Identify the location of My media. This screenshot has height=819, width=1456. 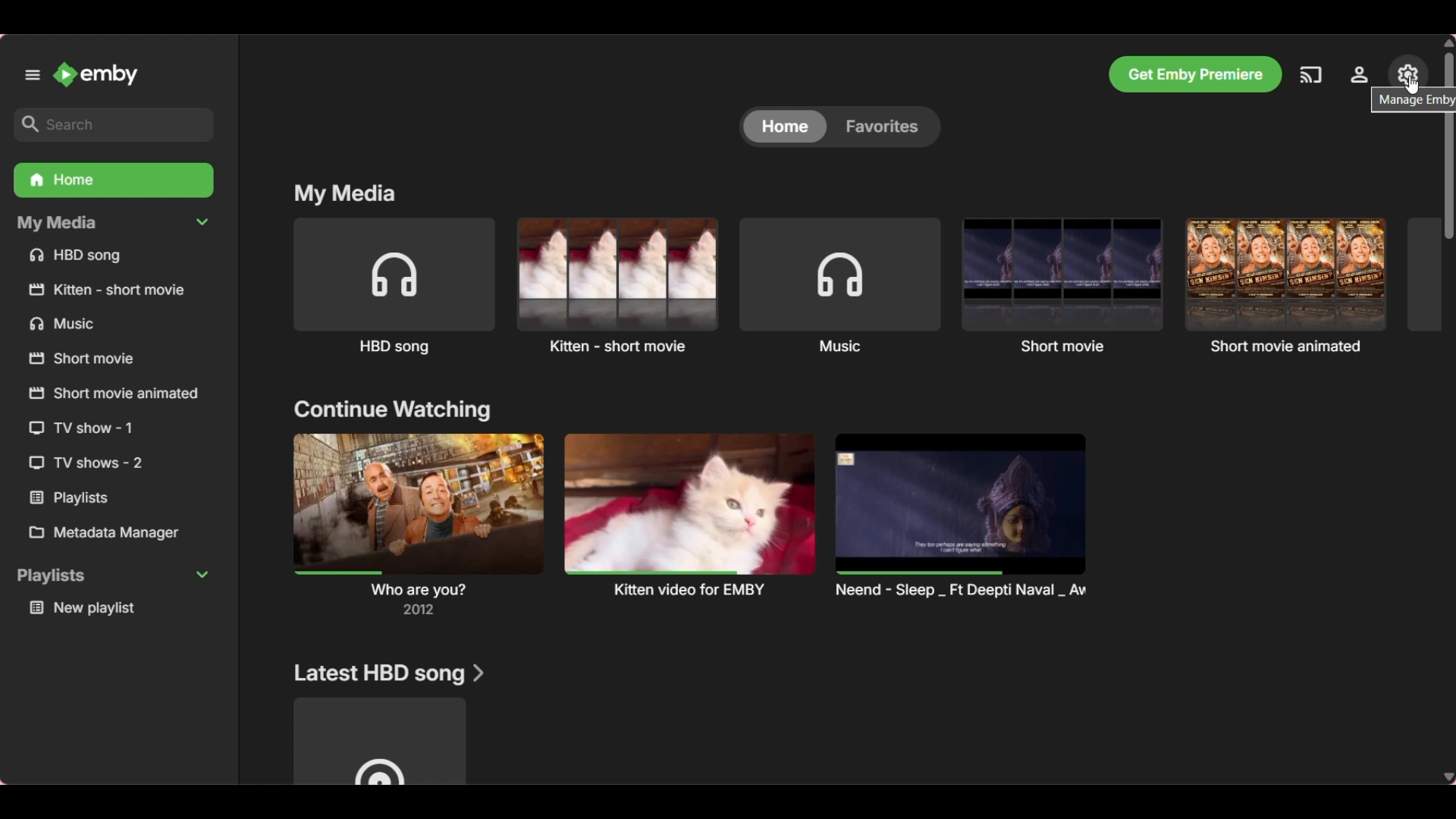
(345, 195).